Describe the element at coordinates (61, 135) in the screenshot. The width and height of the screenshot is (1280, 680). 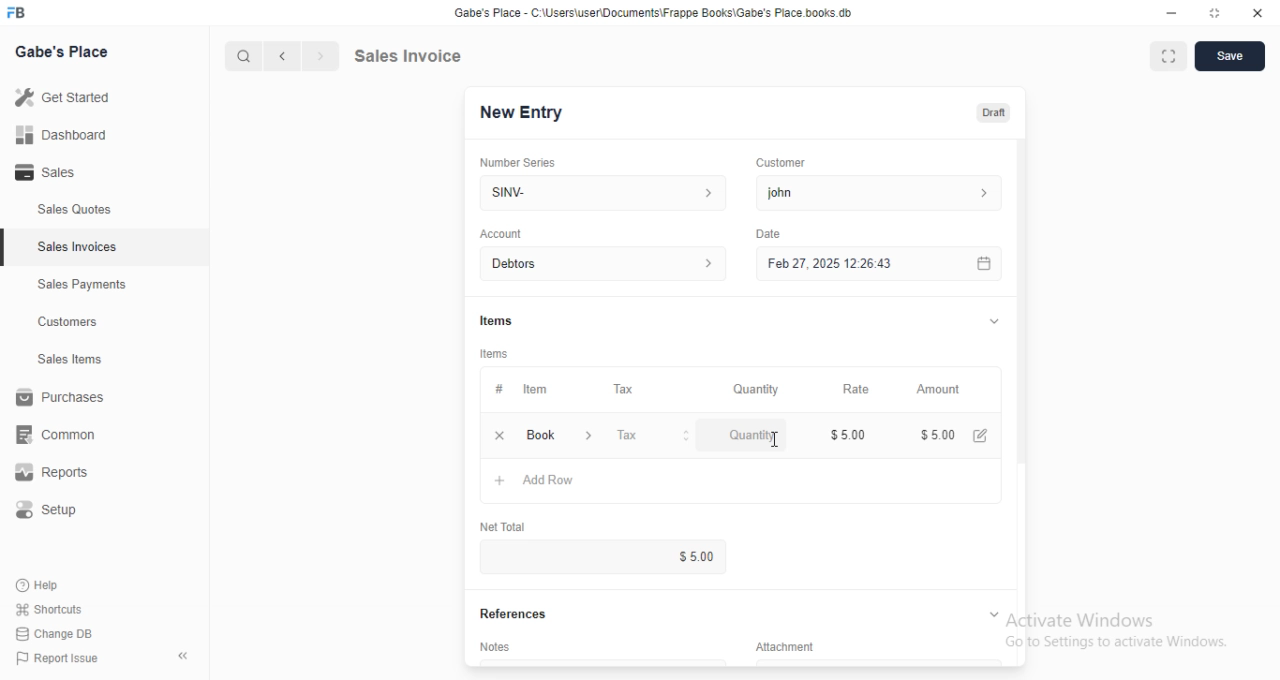
I see `Dashboard` at that location.